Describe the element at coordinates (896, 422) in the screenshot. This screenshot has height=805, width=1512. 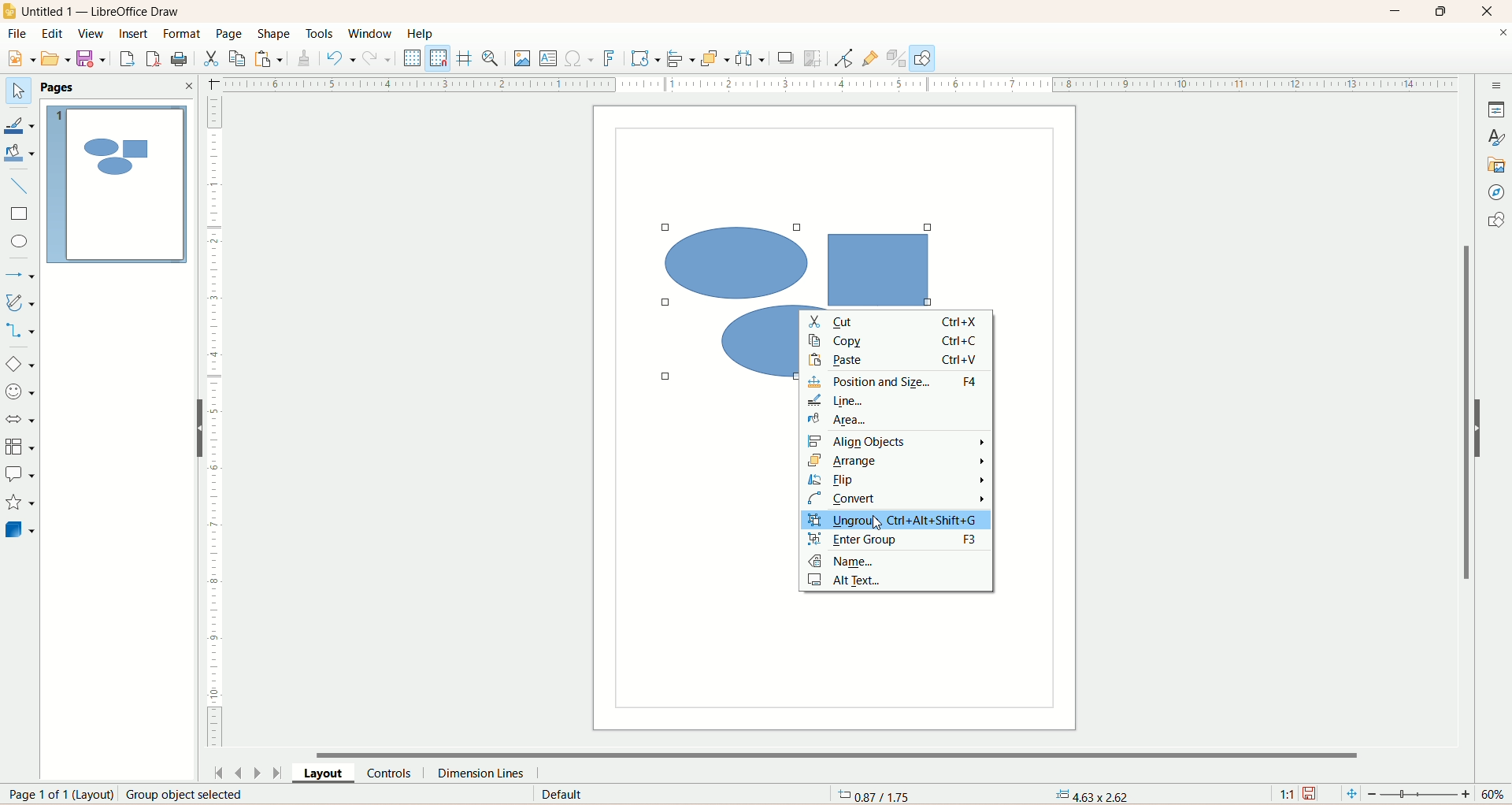
I see `area` at that location.